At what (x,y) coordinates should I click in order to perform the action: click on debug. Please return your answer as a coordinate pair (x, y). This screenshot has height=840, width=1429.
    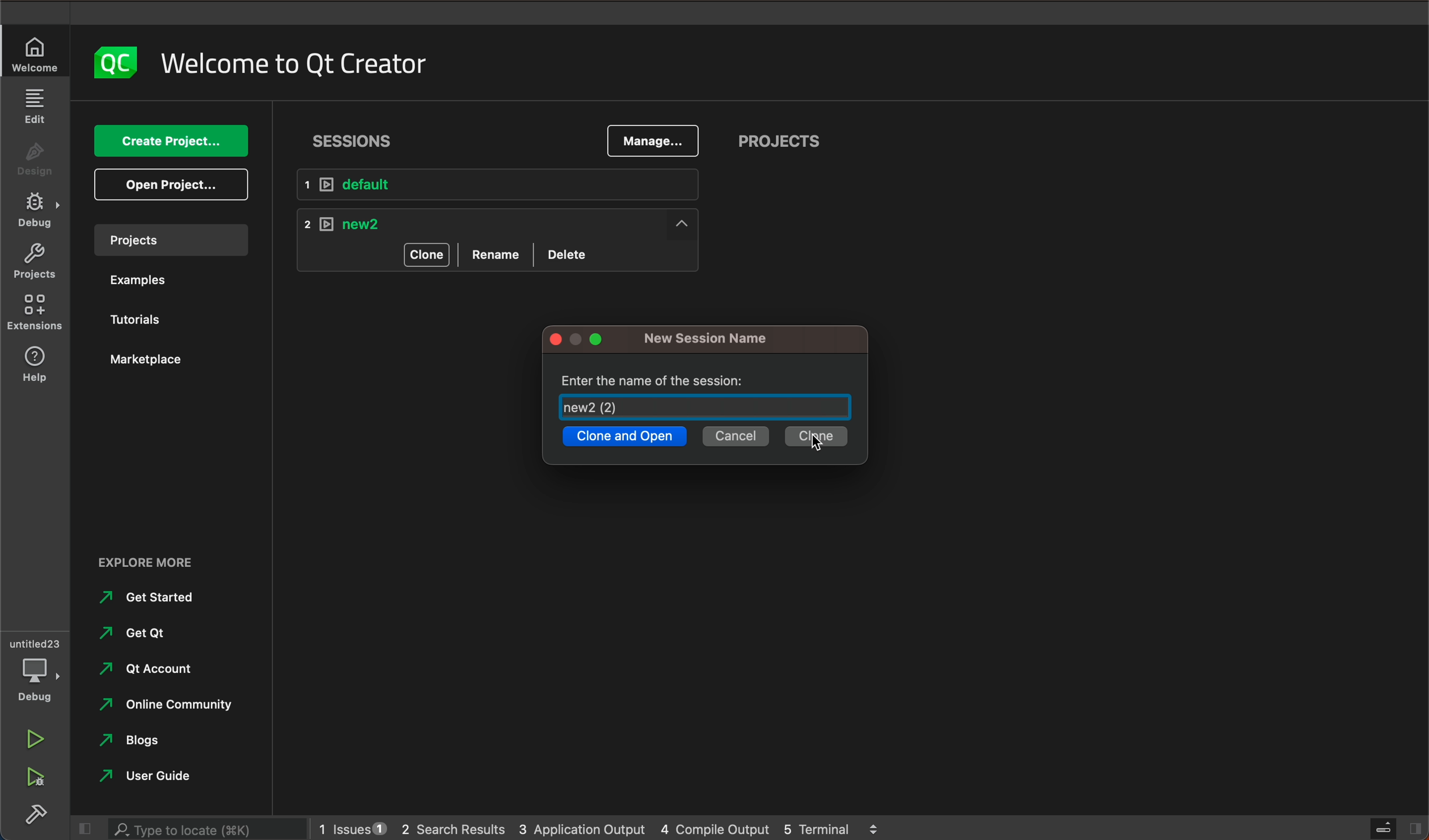
    Looking at the image, I should click on (38, 211).